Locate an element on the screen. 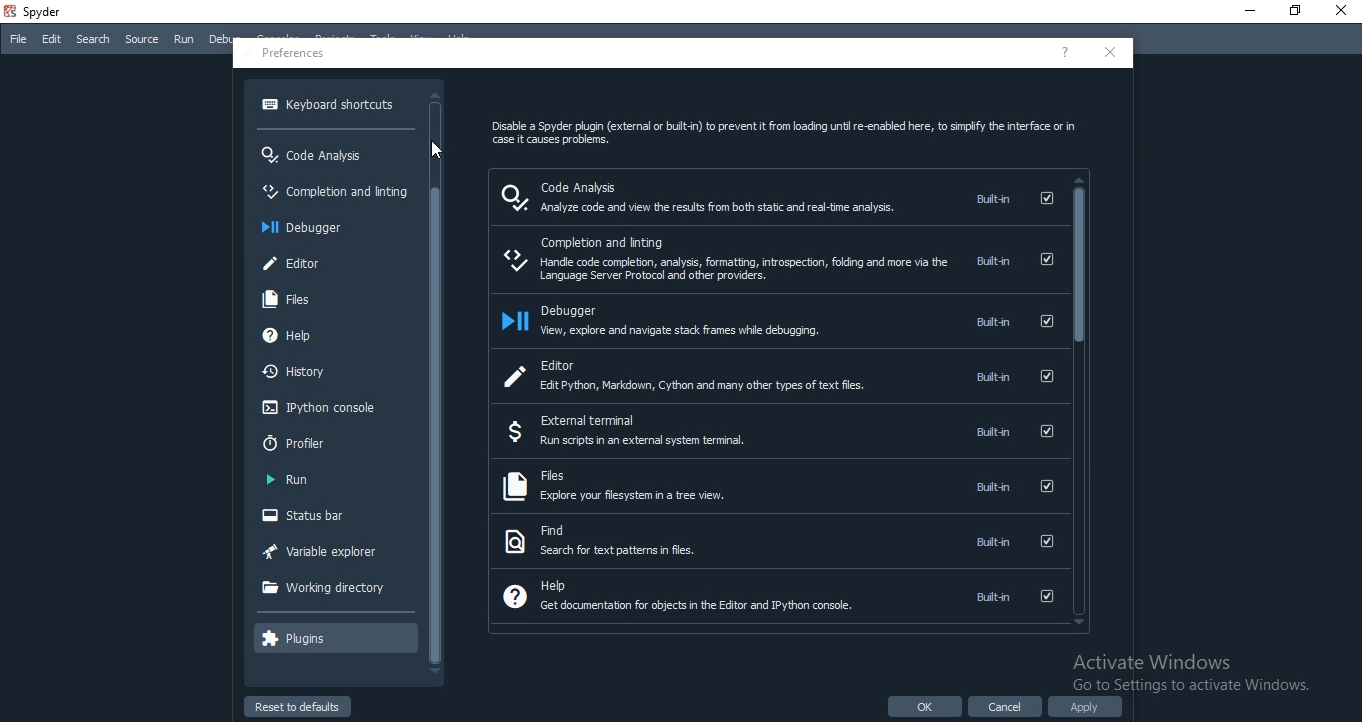 The width and height of the screenshot is (1362, 722). reset to default is located at coordinates (299, 707).